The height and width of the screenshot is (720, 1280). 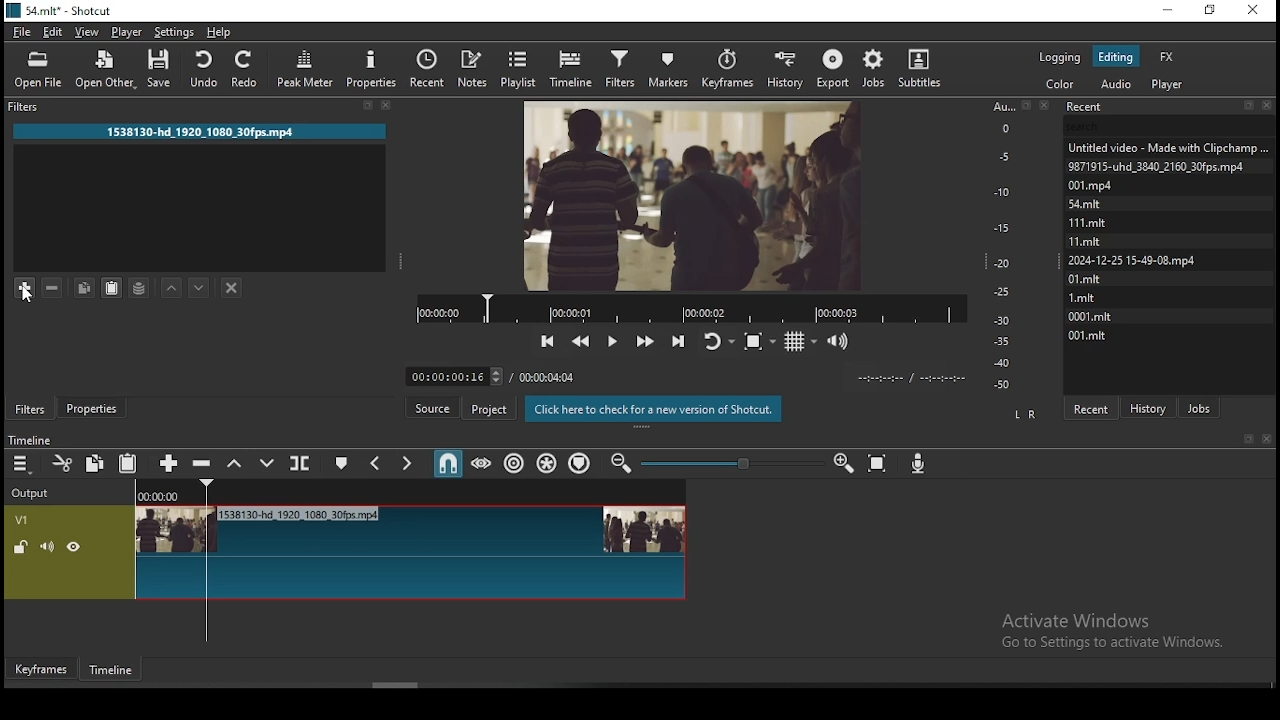 I want to click on Filter, so click(x=202, y=109).